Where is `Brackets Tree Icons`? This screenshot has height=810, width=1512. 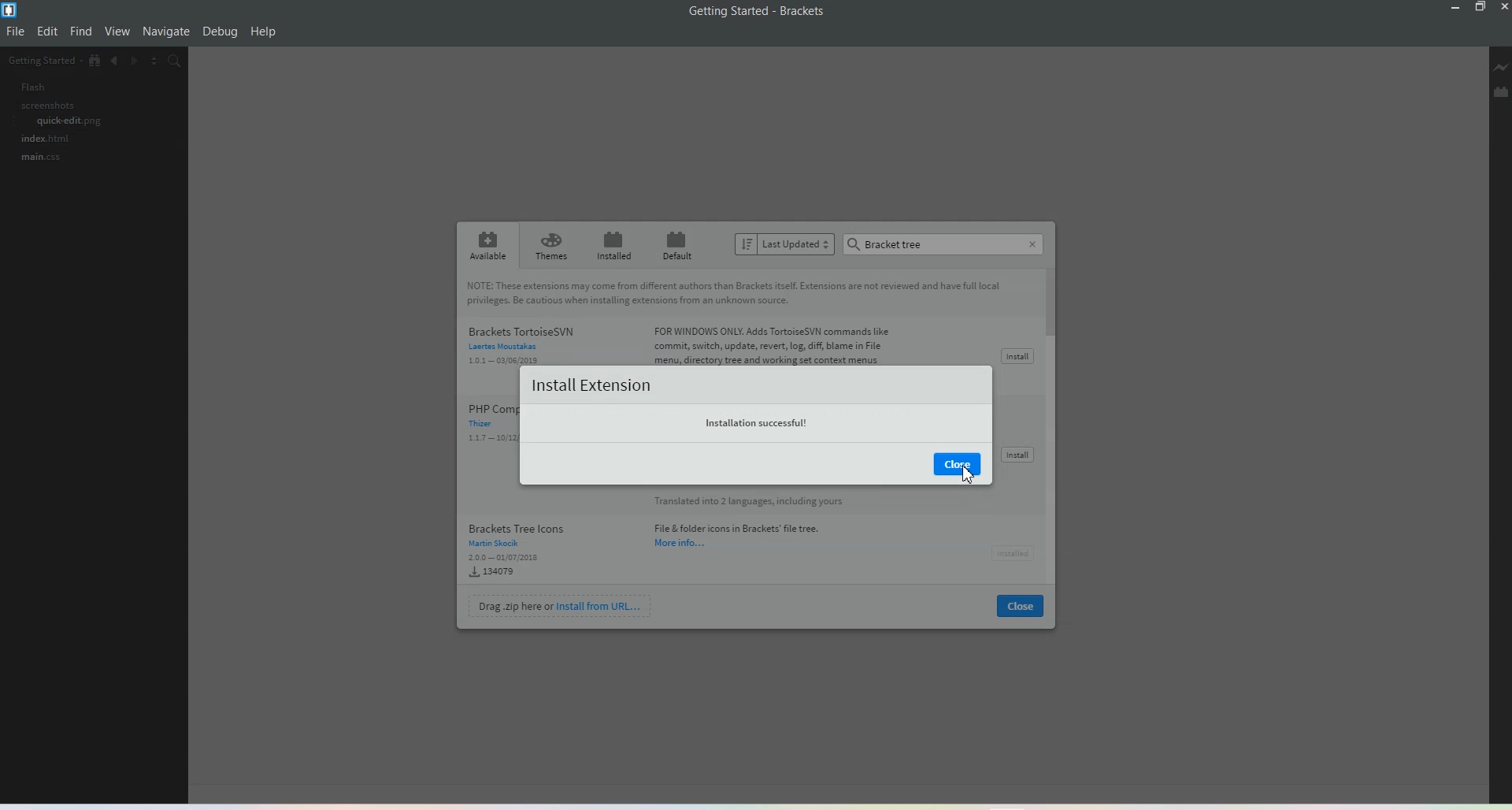
Brackets Tree Icons is located at coordinates (662, 535).